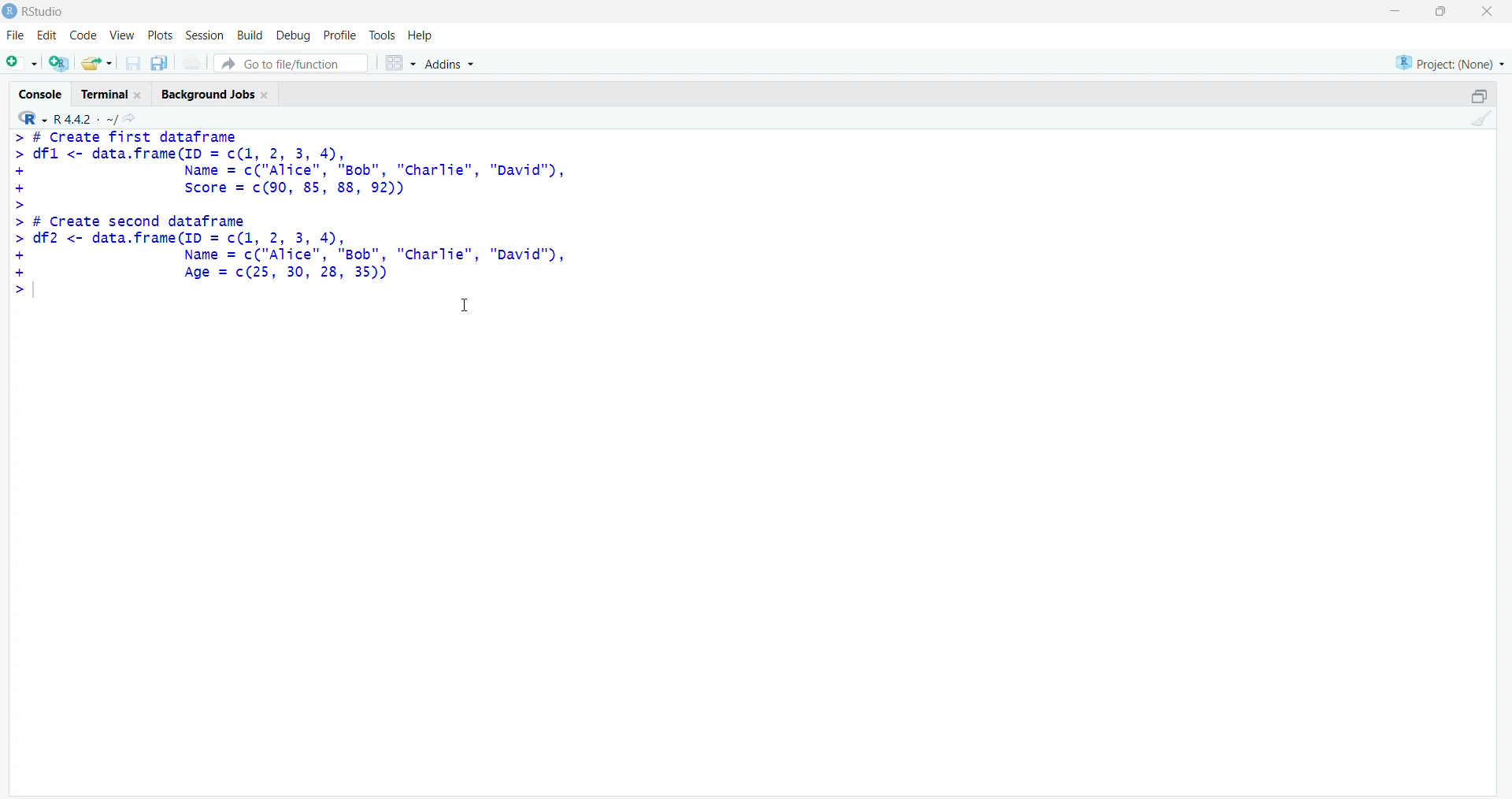 Image resolution: width=1512 pixels, height=799 pixels. What do you see at coordinates (401, 63) in the screenshot?
I see `grid` at bounding box center [401, 63].